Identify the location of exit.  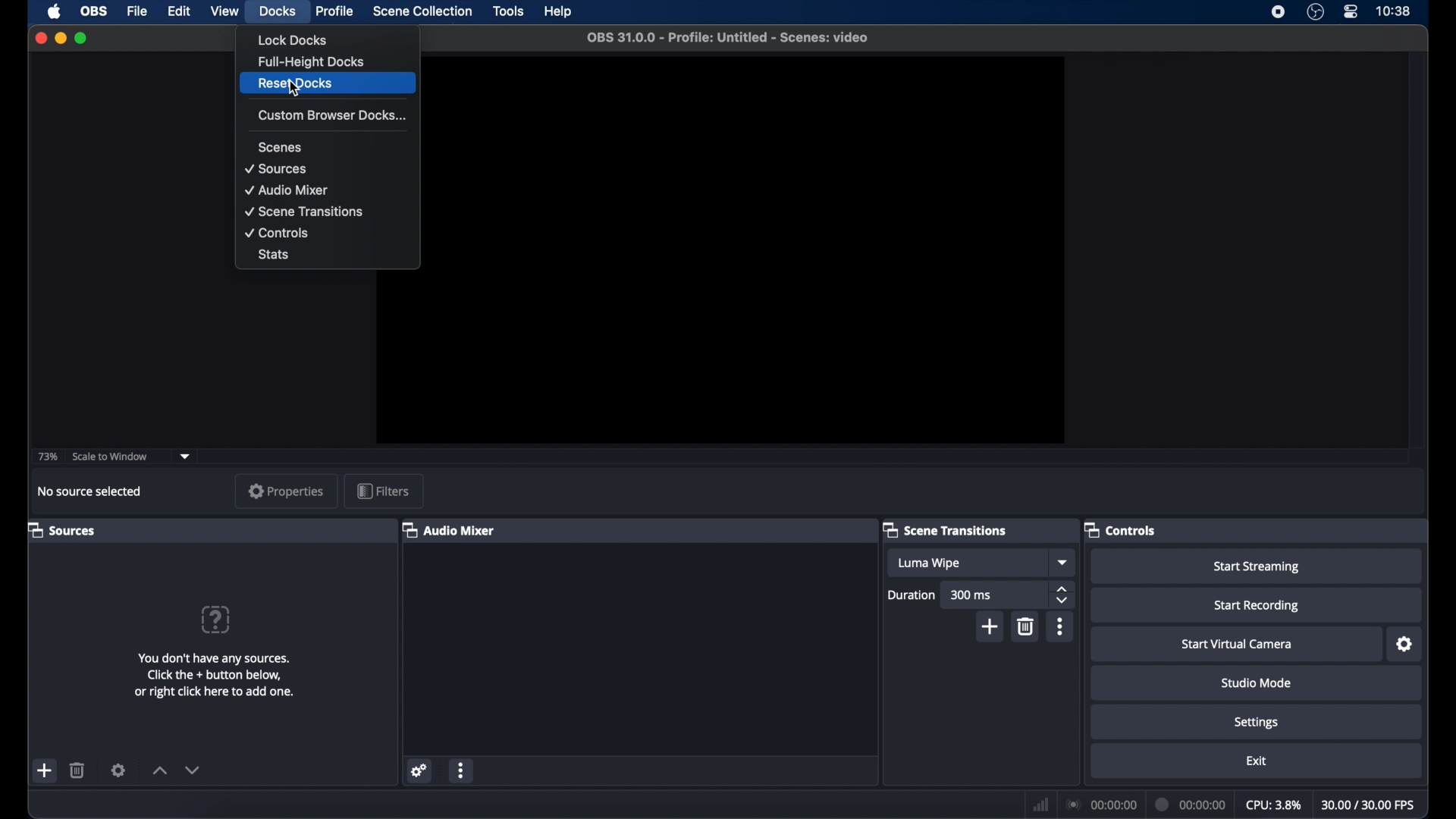
(1257, 761).